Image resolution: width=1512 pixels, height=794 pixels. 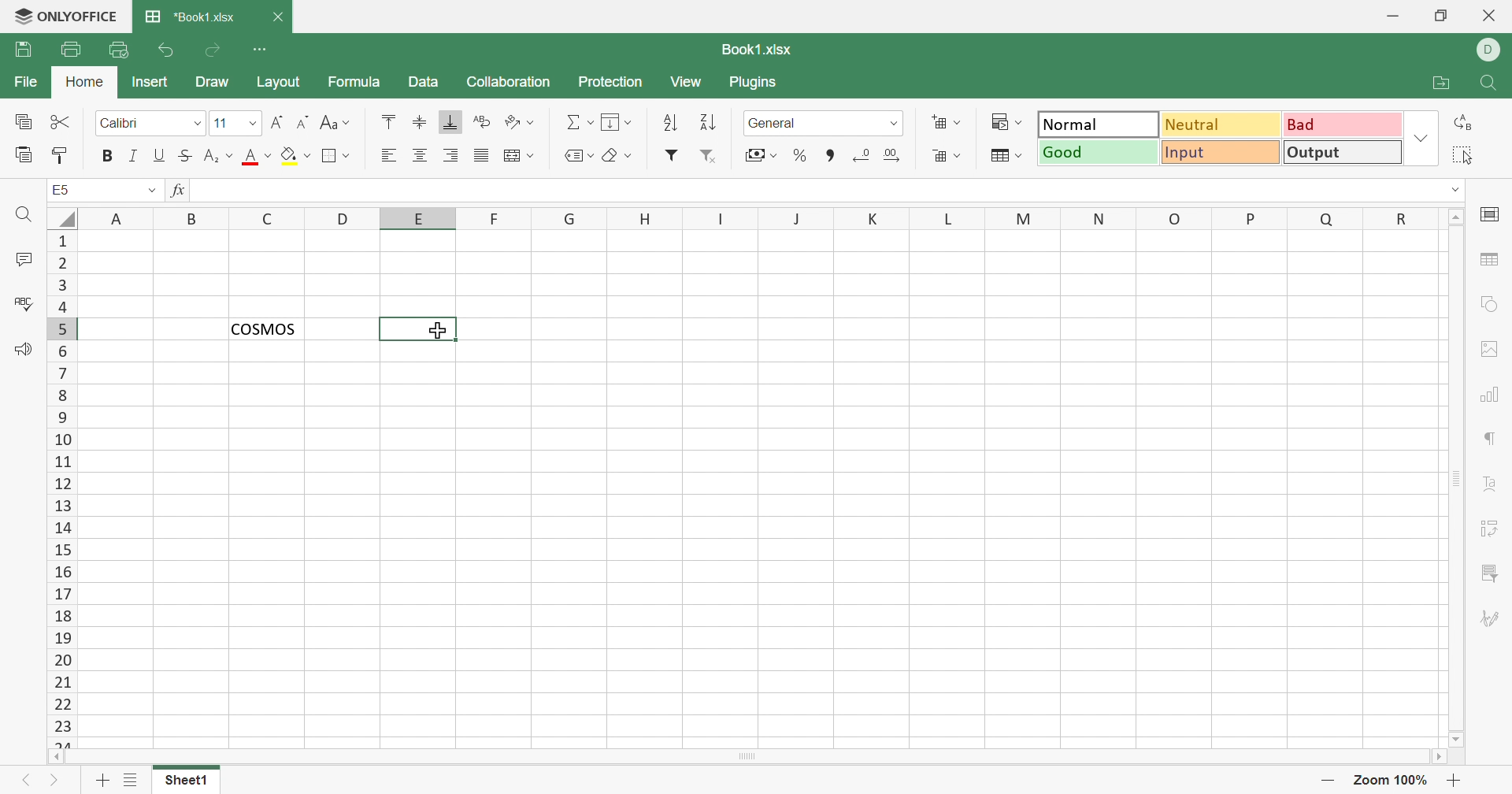 I want to click on Decrease decimal, so click(x=863, y=157).